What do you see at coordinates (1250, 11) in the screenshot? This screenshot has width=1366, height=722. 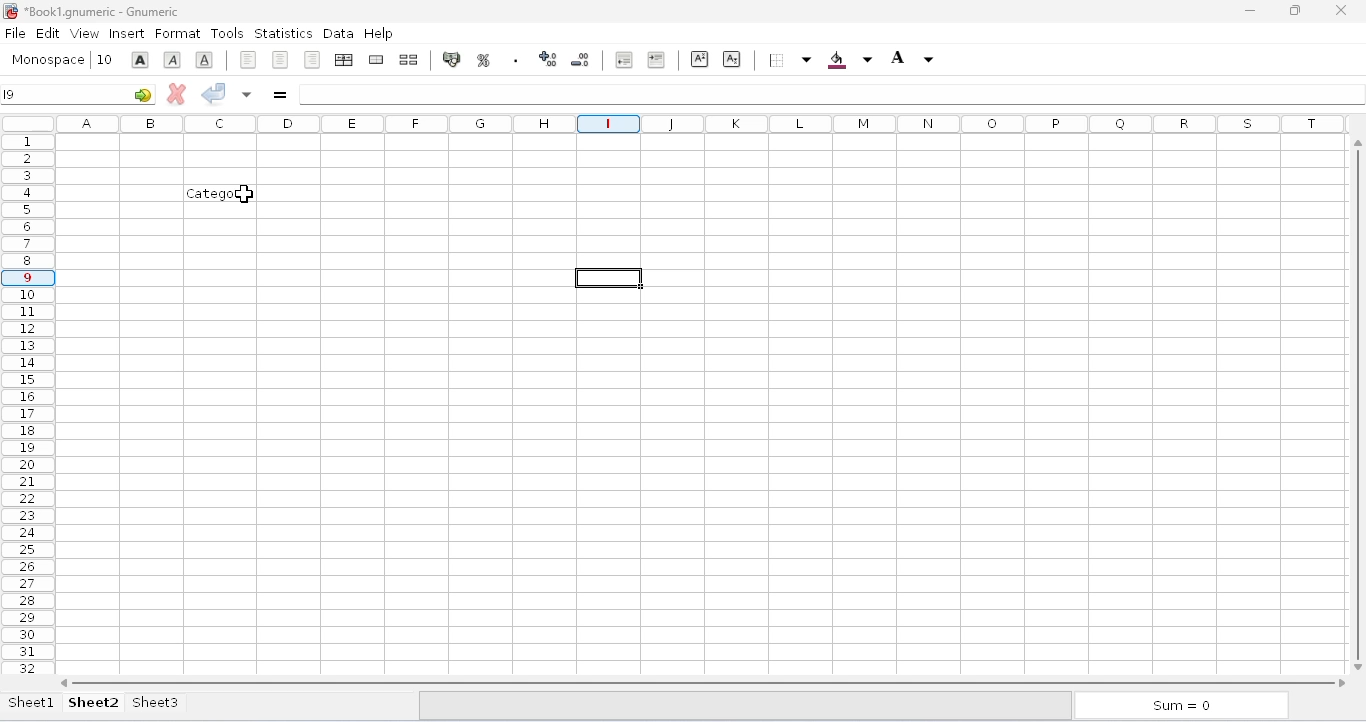 I see `minimize` at bounding box center [1250, 11].